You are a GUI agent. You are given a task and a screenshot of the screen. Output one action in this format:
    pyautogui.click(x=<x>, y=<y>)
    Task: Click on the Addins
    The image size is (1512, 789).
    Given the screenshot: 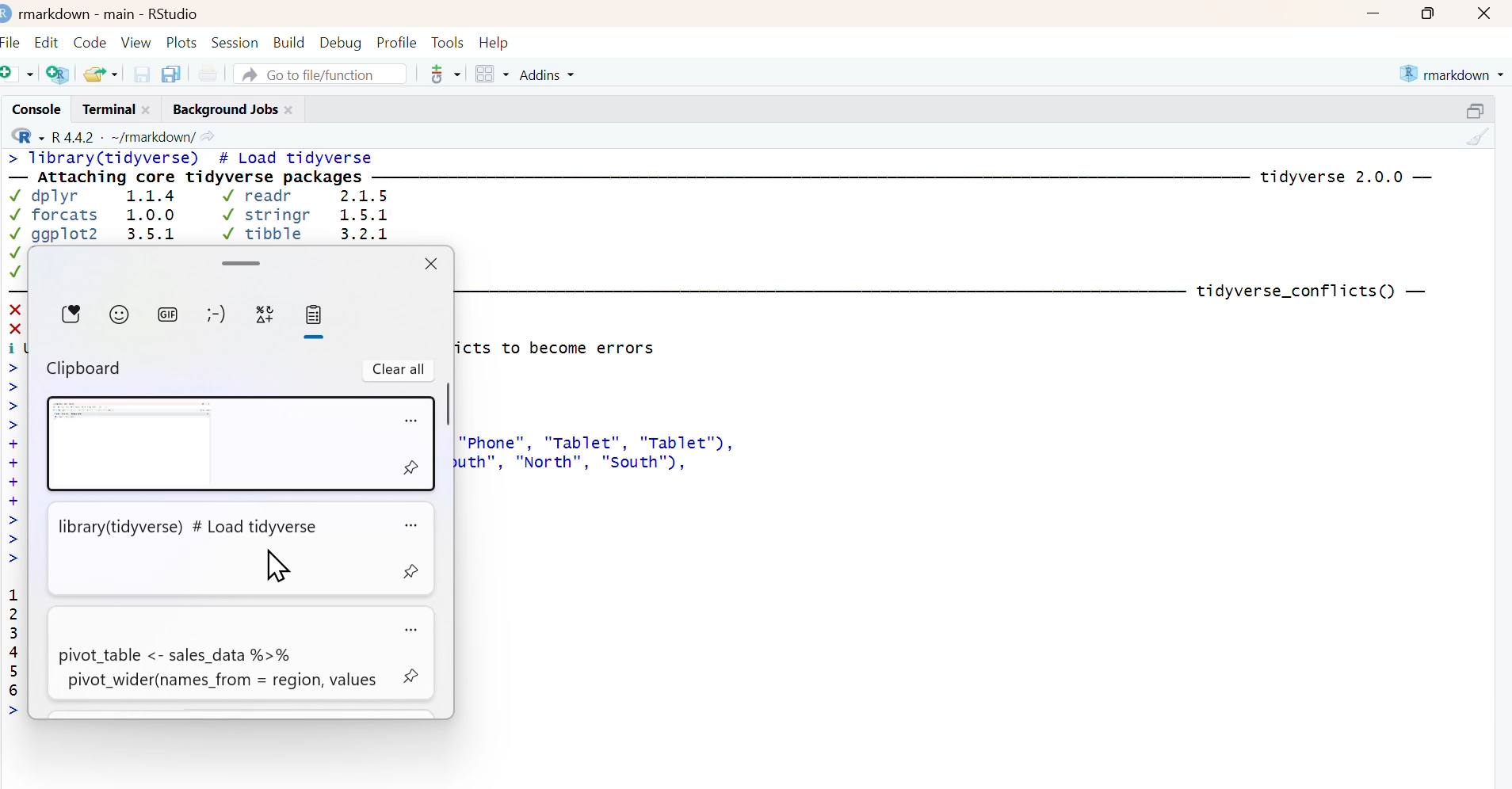 What is the action you would take?
    pyautogui.click(x=550, y=74)
    